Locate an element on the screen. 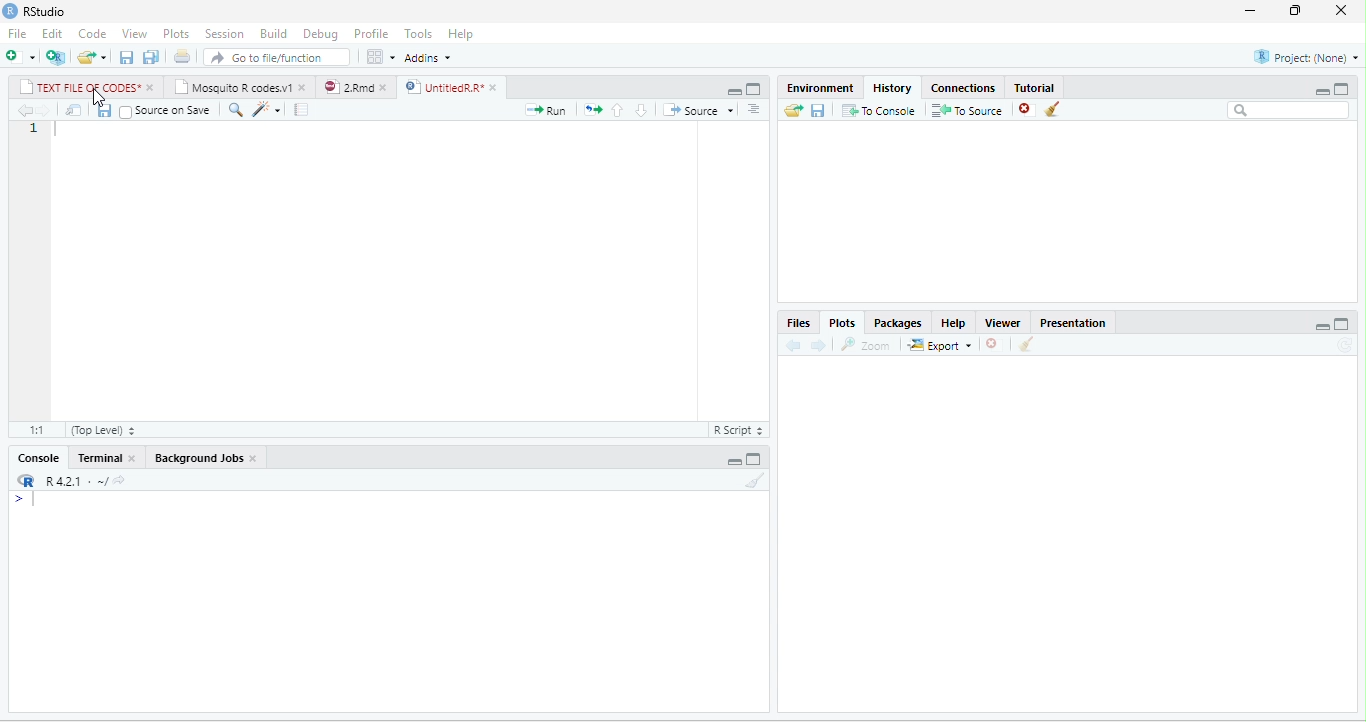 The height and width of the screenshot is (722, 1366). close file is located at coordinates (994, 344).